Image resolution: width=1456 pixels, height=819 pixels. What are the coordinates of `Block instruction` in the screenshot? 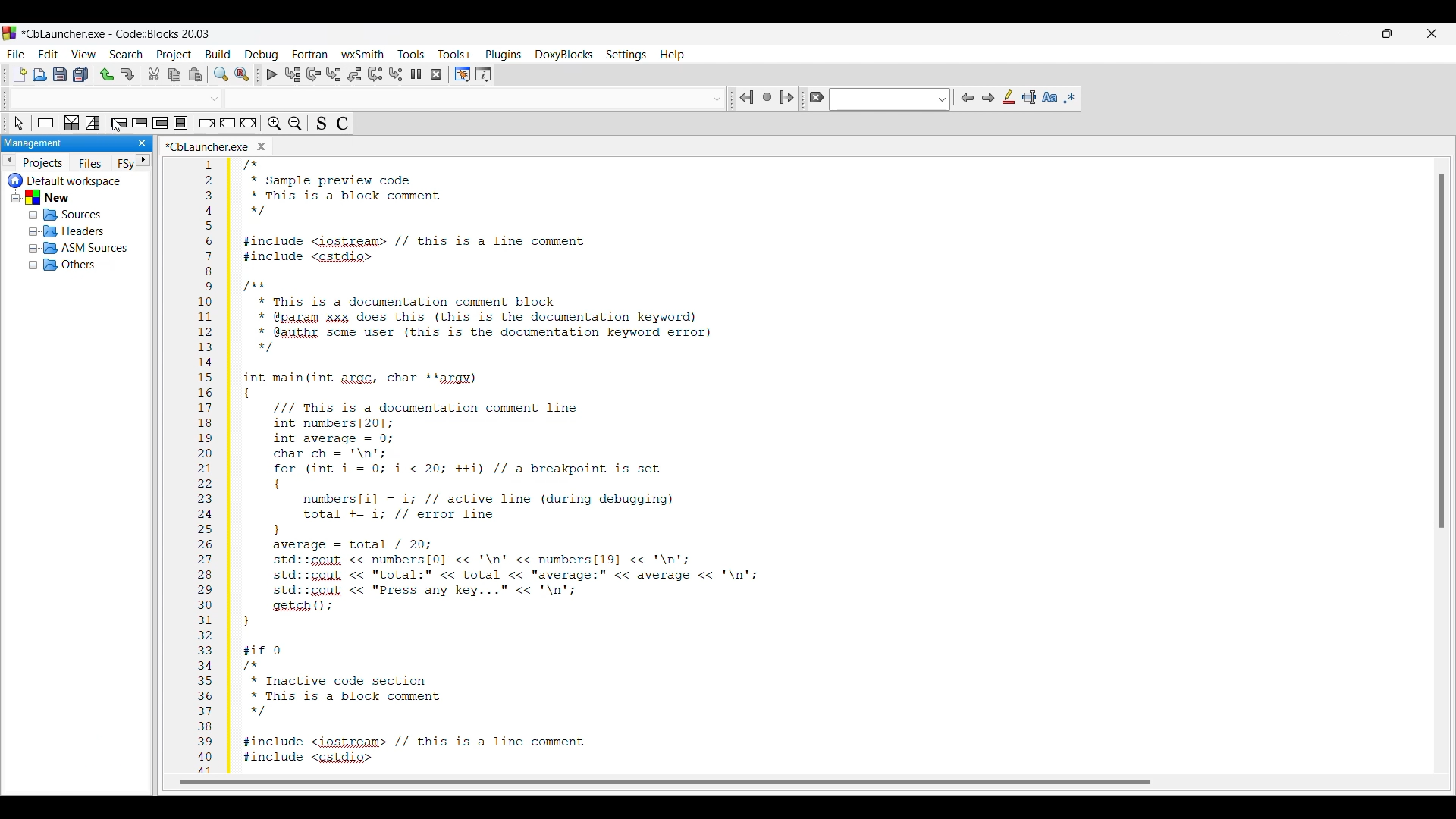 It's located at (180, 123).